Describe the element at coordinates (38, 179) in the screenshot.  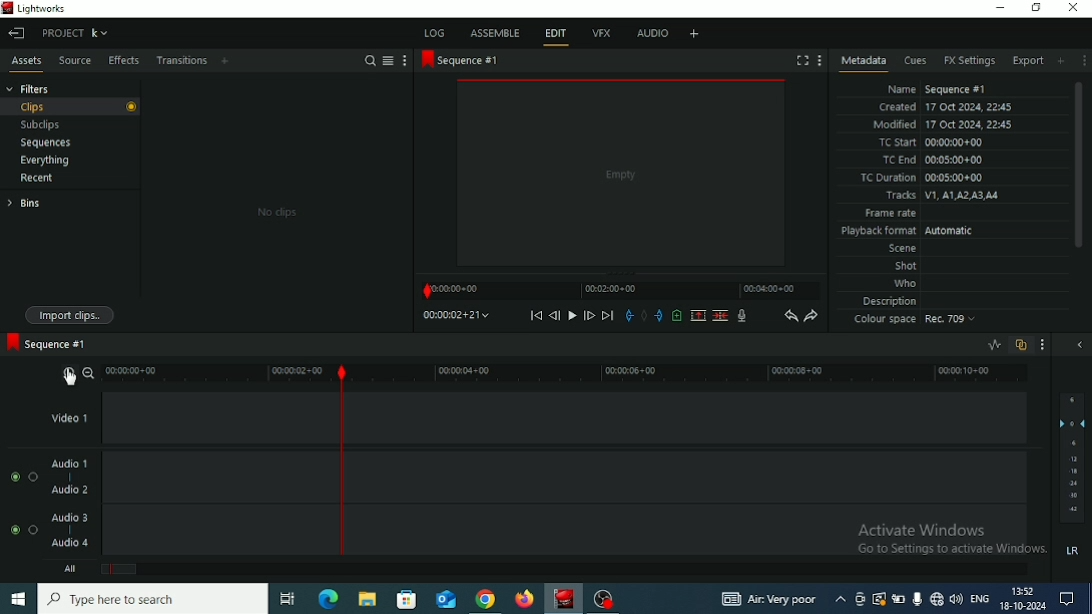
I see `Recent` at that location.